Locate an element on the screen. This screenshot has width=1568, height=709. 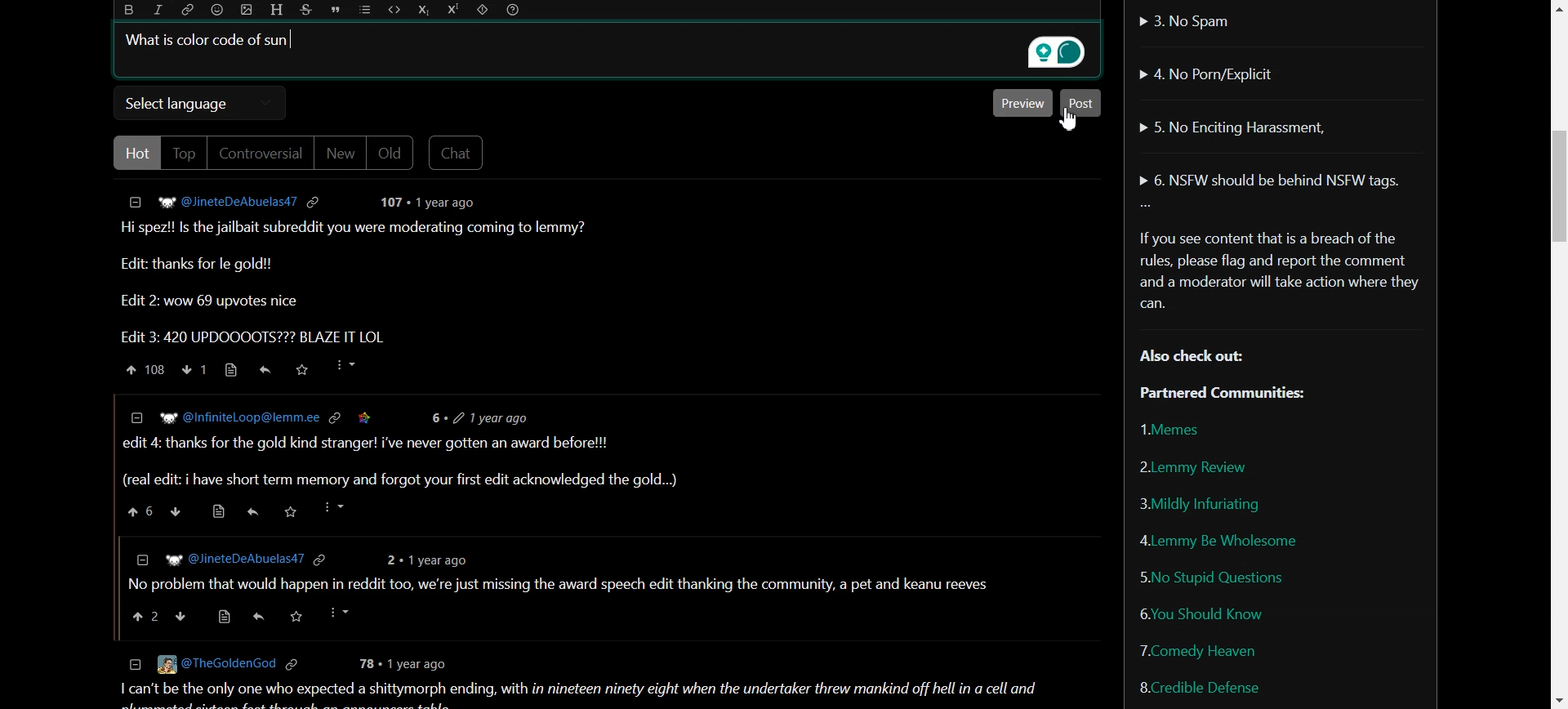
Edit: thanks for le gold!! is located at coordinates (190, 263).